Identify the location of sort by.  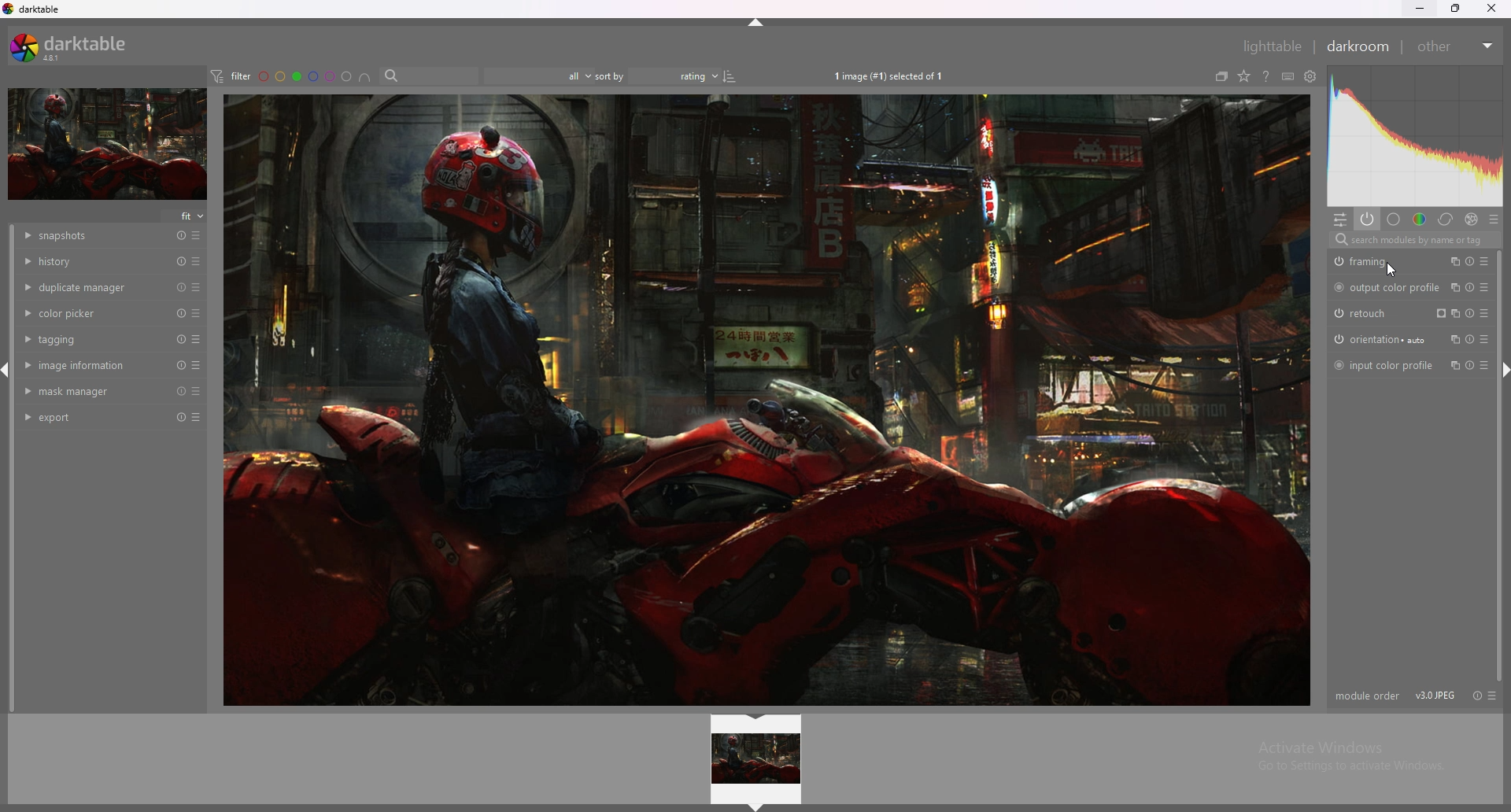
(608, 76).